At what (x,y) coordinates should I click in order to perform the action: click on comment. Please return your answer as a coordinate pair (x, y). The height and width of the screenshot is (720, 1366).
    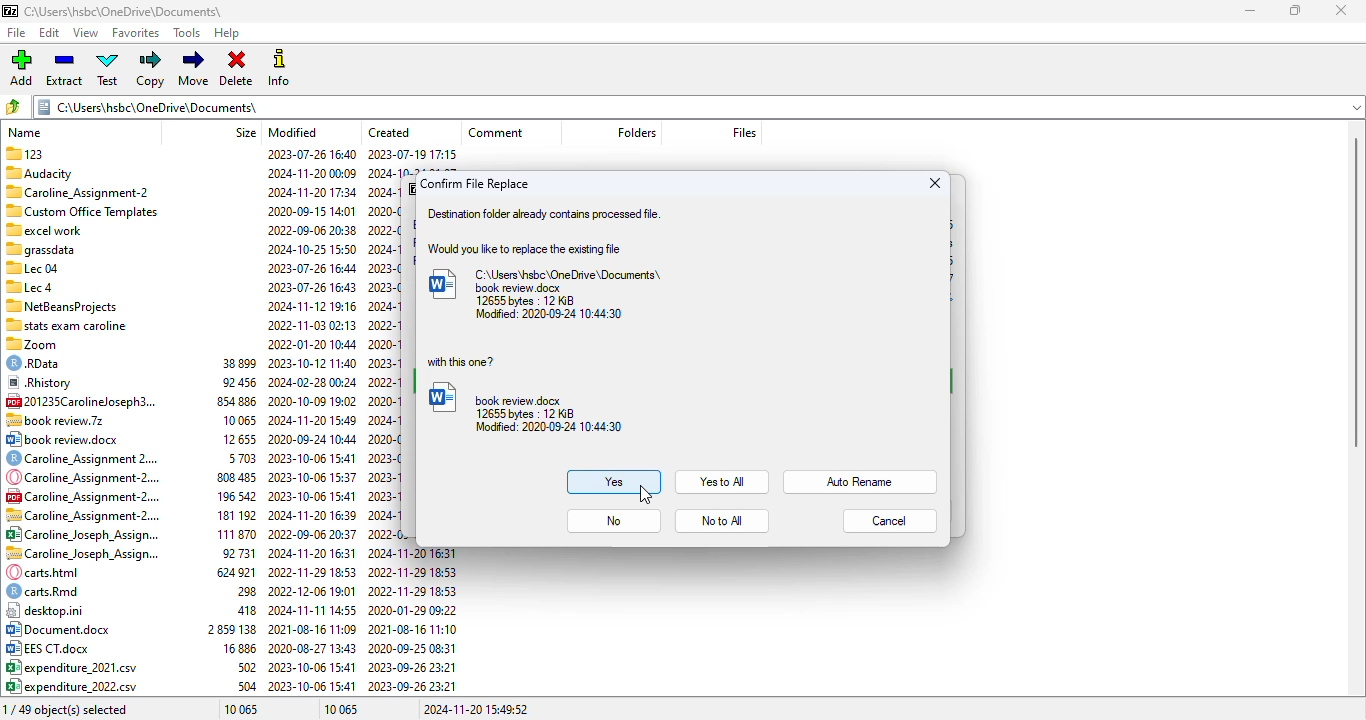
    Looking at the image, I should click on (497, 133).